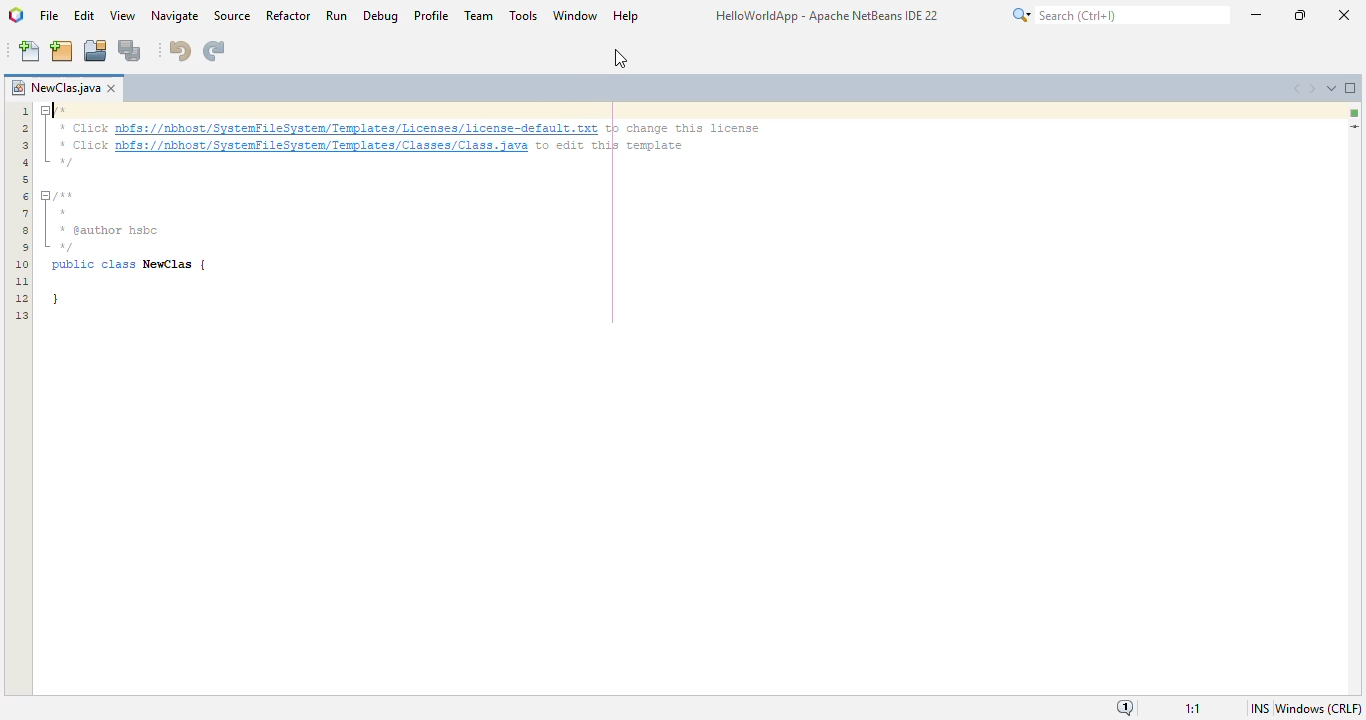 The width and height of the screenshot is (1366, 720). I want to click on save all, so click(130, 50).